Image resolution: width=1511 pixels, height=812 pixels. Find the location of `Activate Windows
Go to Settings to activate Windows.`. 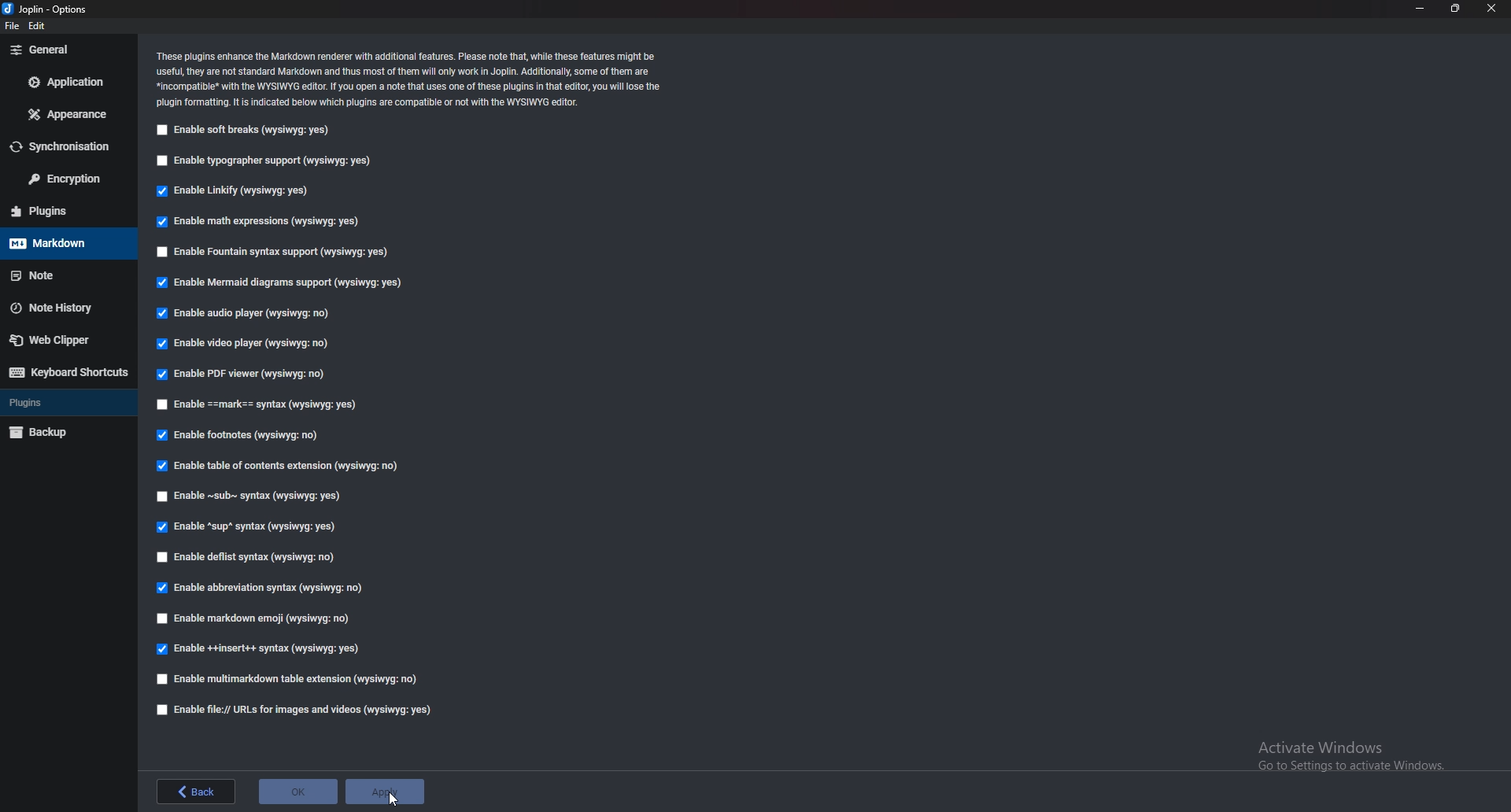

Activate Windows
Go to Settings to activate Windows. is located at coordinates (1351, 755).